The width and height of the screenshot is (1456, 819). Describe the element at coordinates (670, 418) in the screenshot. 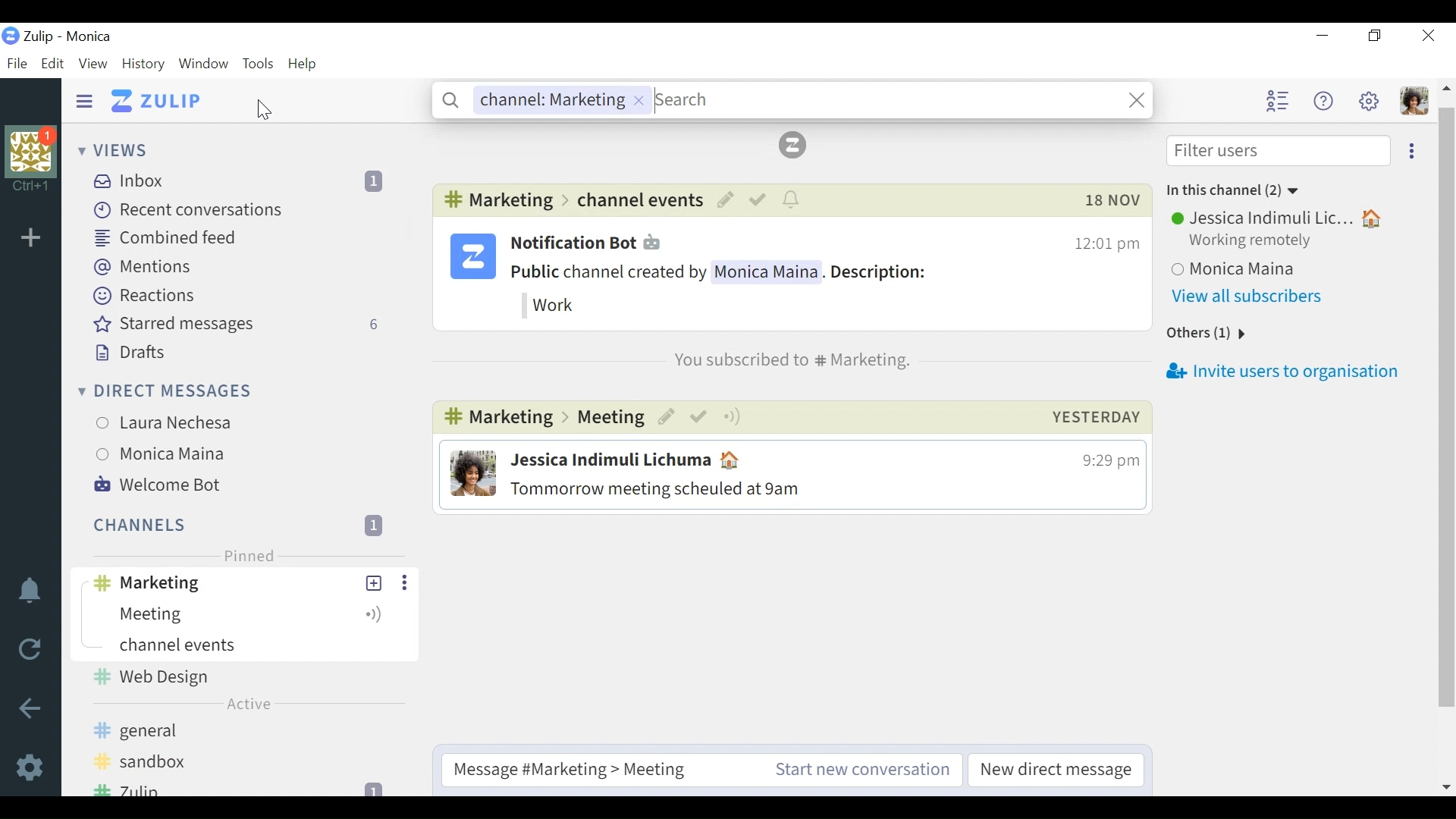

I see `edit` at that location.